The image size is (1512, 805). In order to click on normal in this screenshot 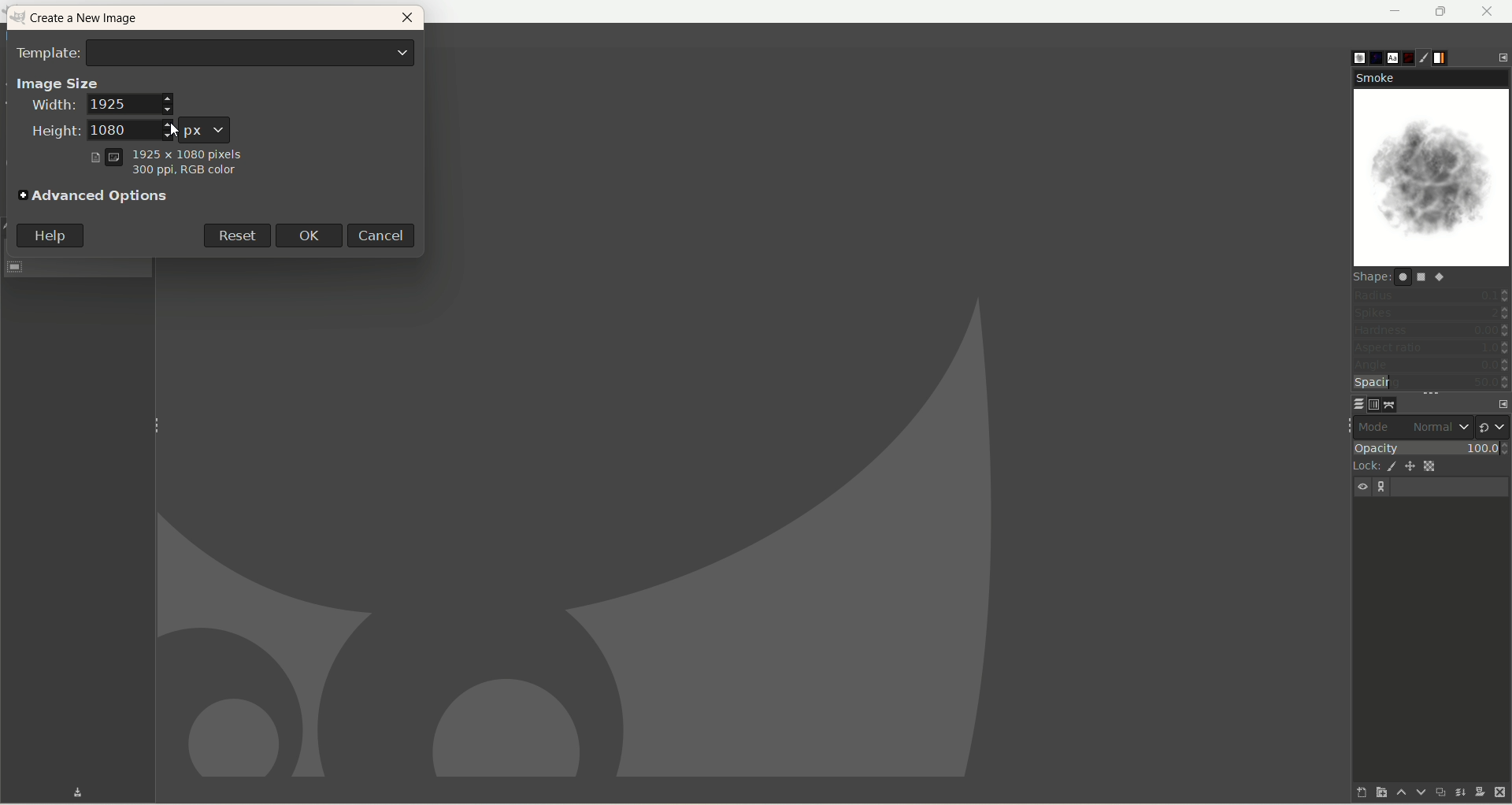, I will do `click(1439, 427)`.